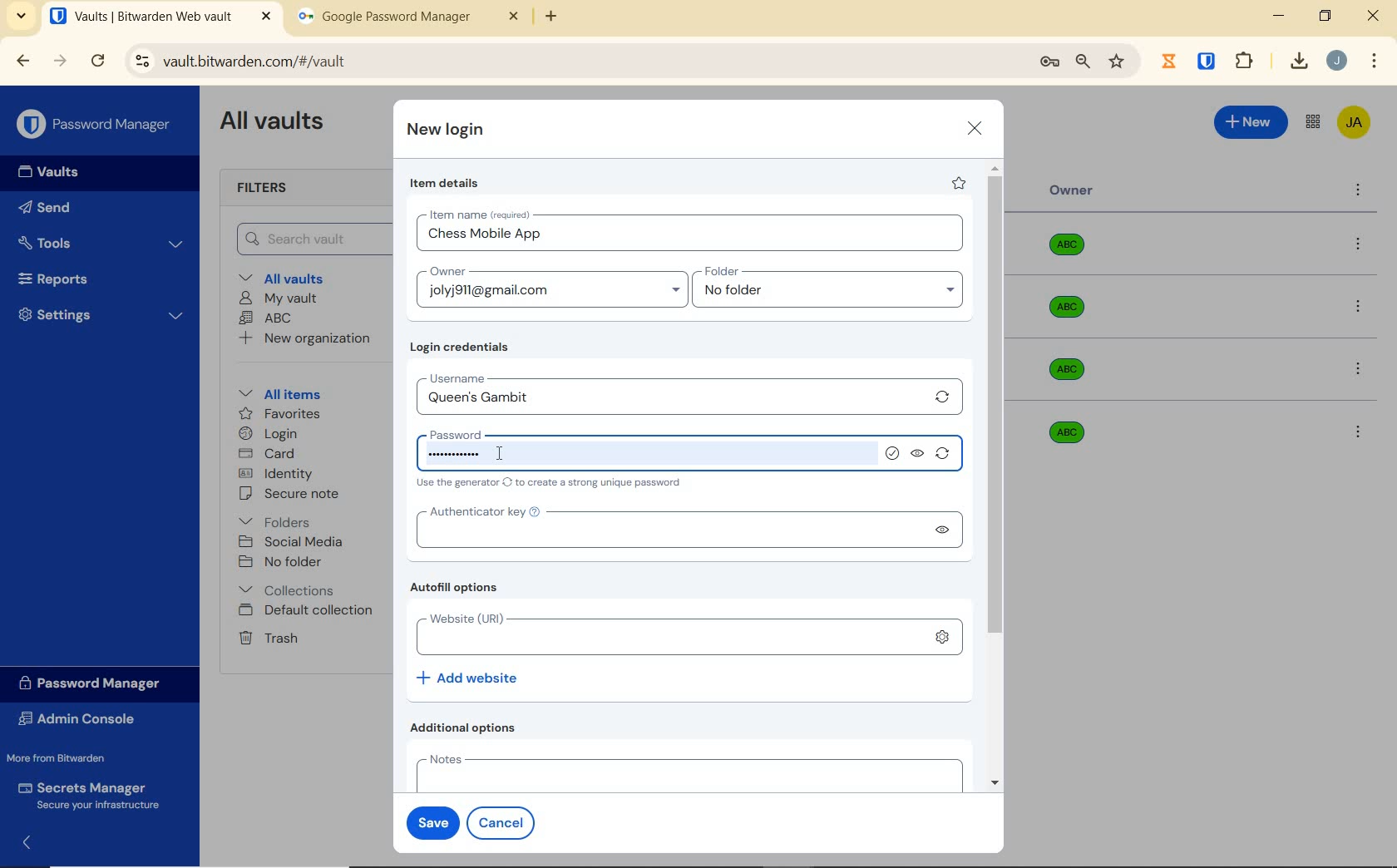  I want to click on restore, so click(1324, 16).